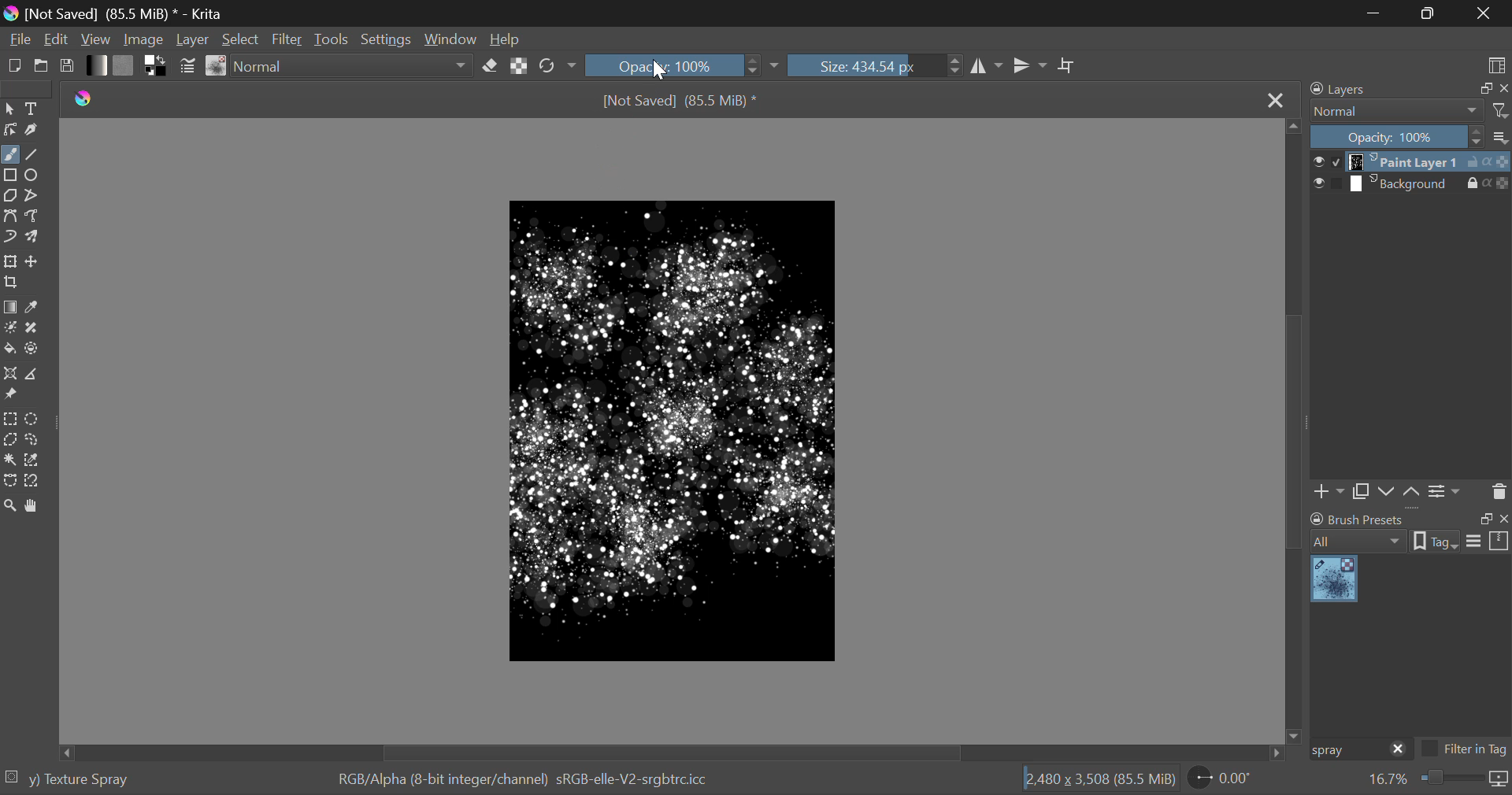 This screenshot has height=795, width=1512. I want to click on Freehand Paintbrush selected, so click(9, 156).